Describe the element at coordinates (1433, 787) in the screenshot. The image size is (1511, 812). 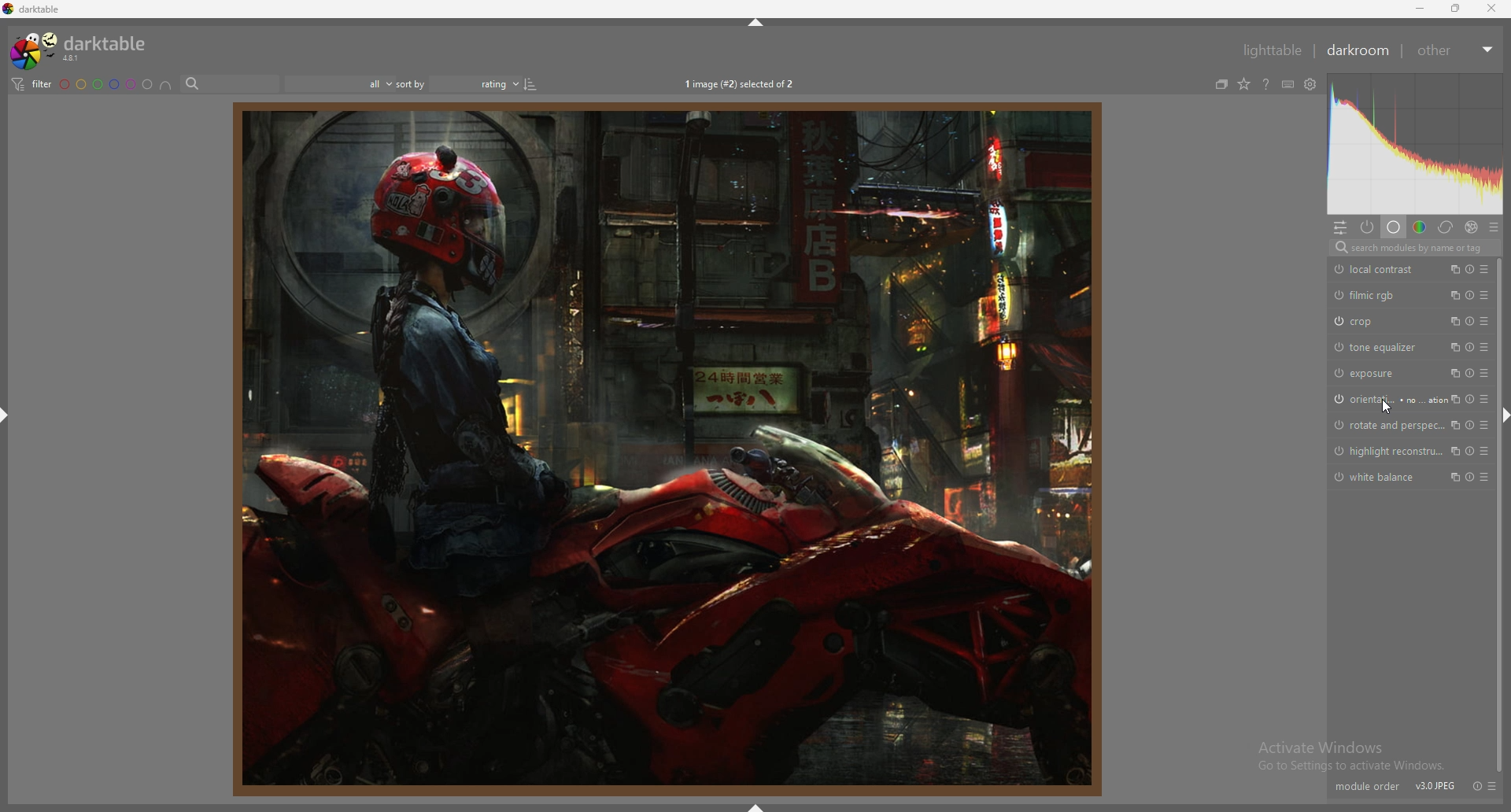
I see `v3.0 JPEG` at that location.